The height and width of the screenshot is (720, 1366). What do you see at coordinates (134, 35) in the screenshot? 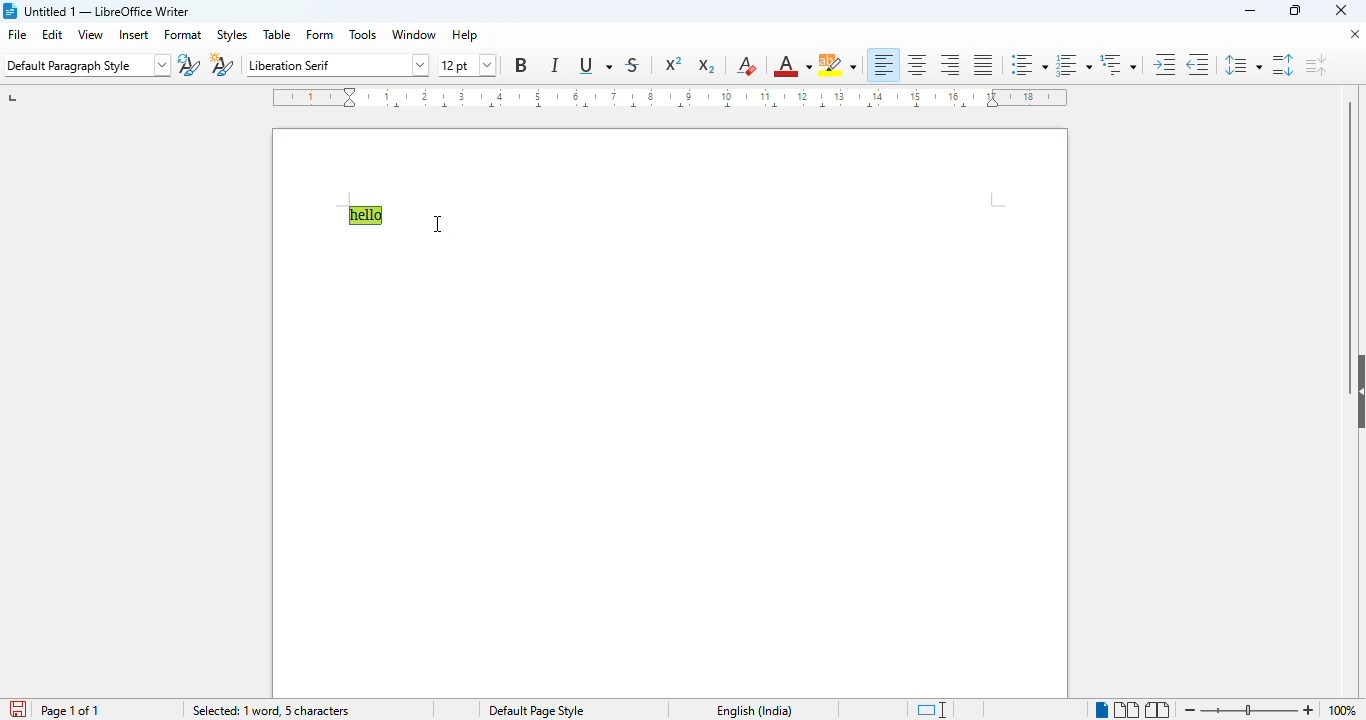
I see `insert` at bounding box center [134, 35].